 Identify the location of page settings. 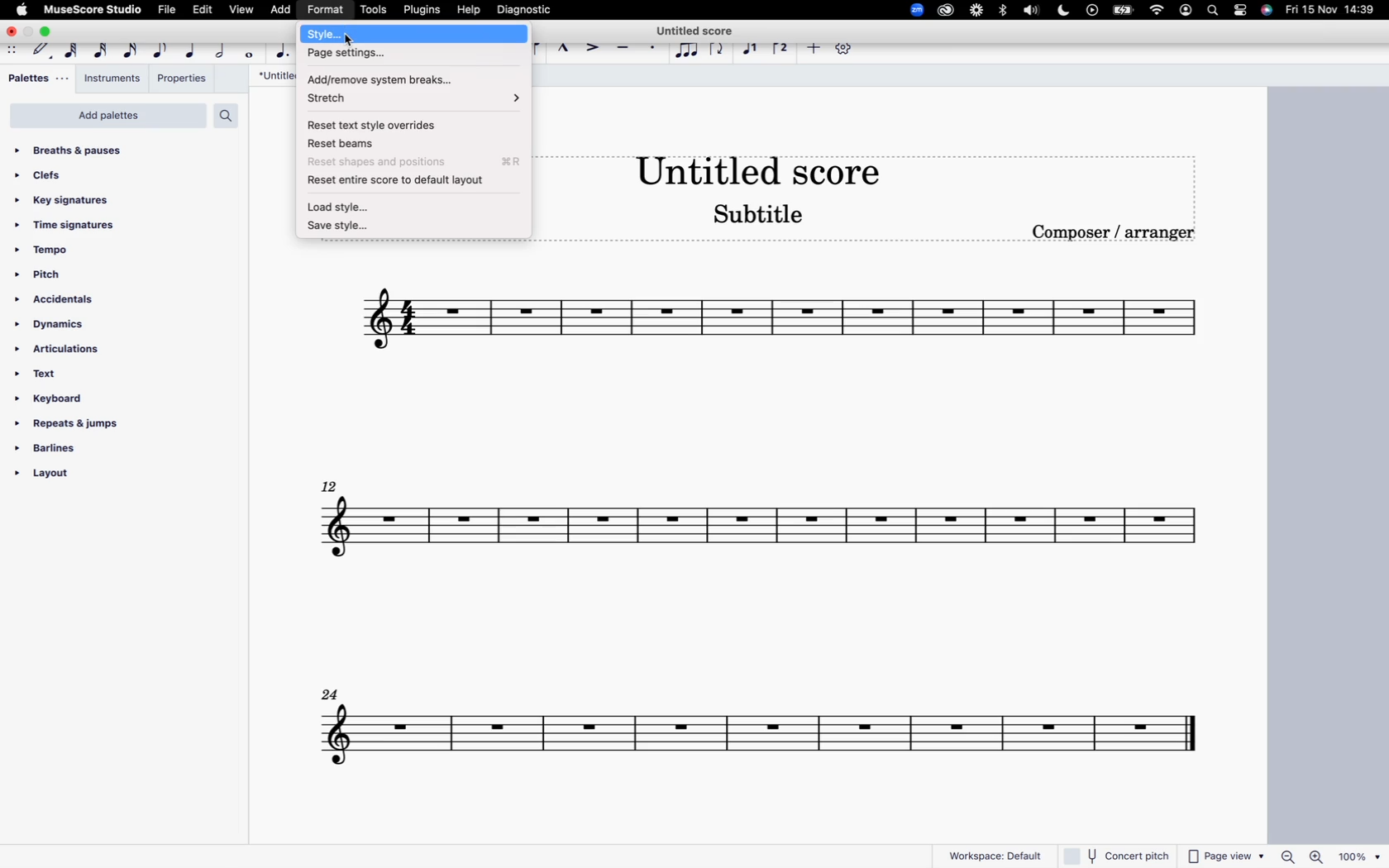
(408, 55).